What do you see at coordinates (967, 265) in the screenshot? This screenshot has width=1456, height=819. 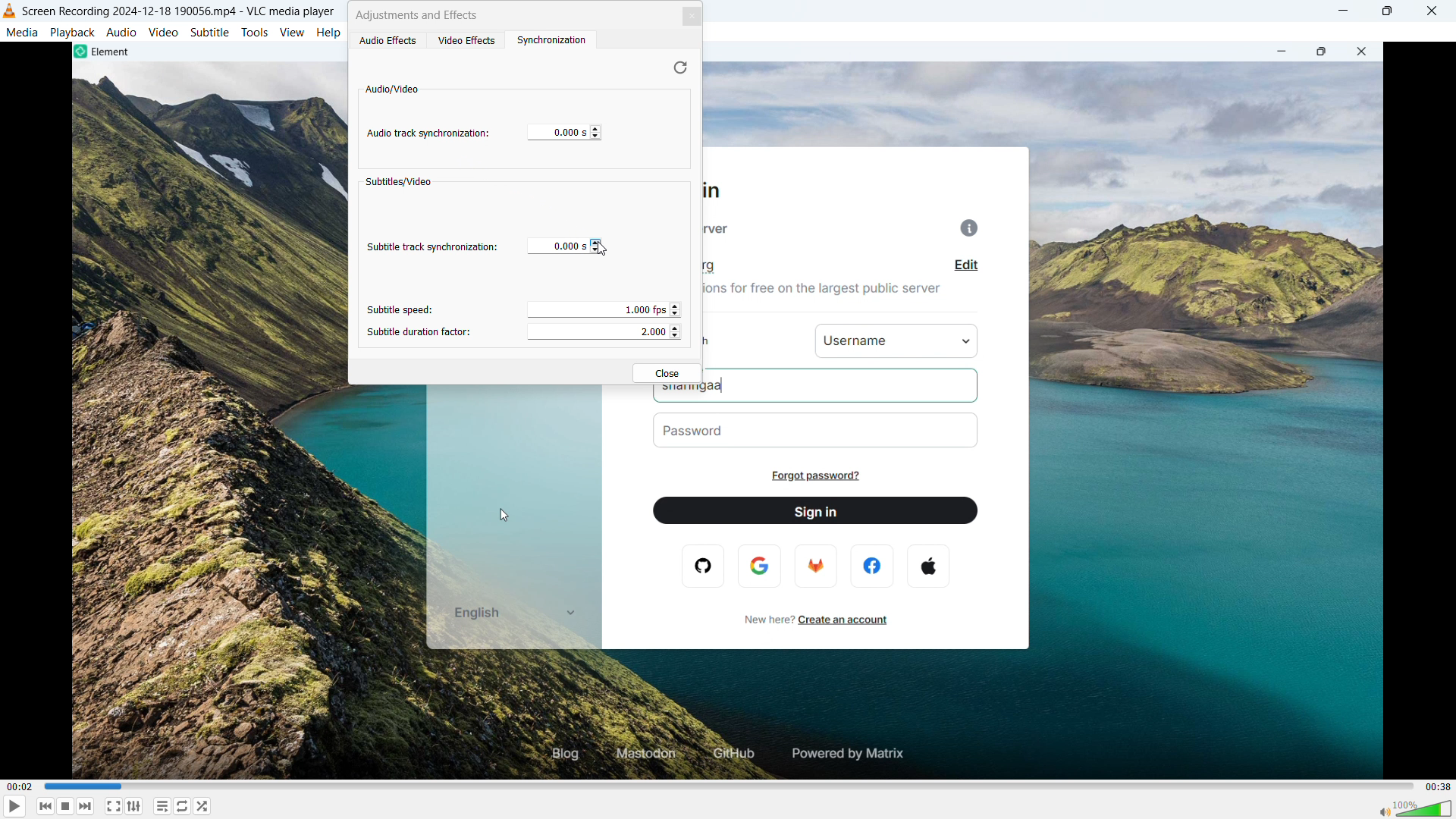 I see `edit` at bounding box center [967, 265].